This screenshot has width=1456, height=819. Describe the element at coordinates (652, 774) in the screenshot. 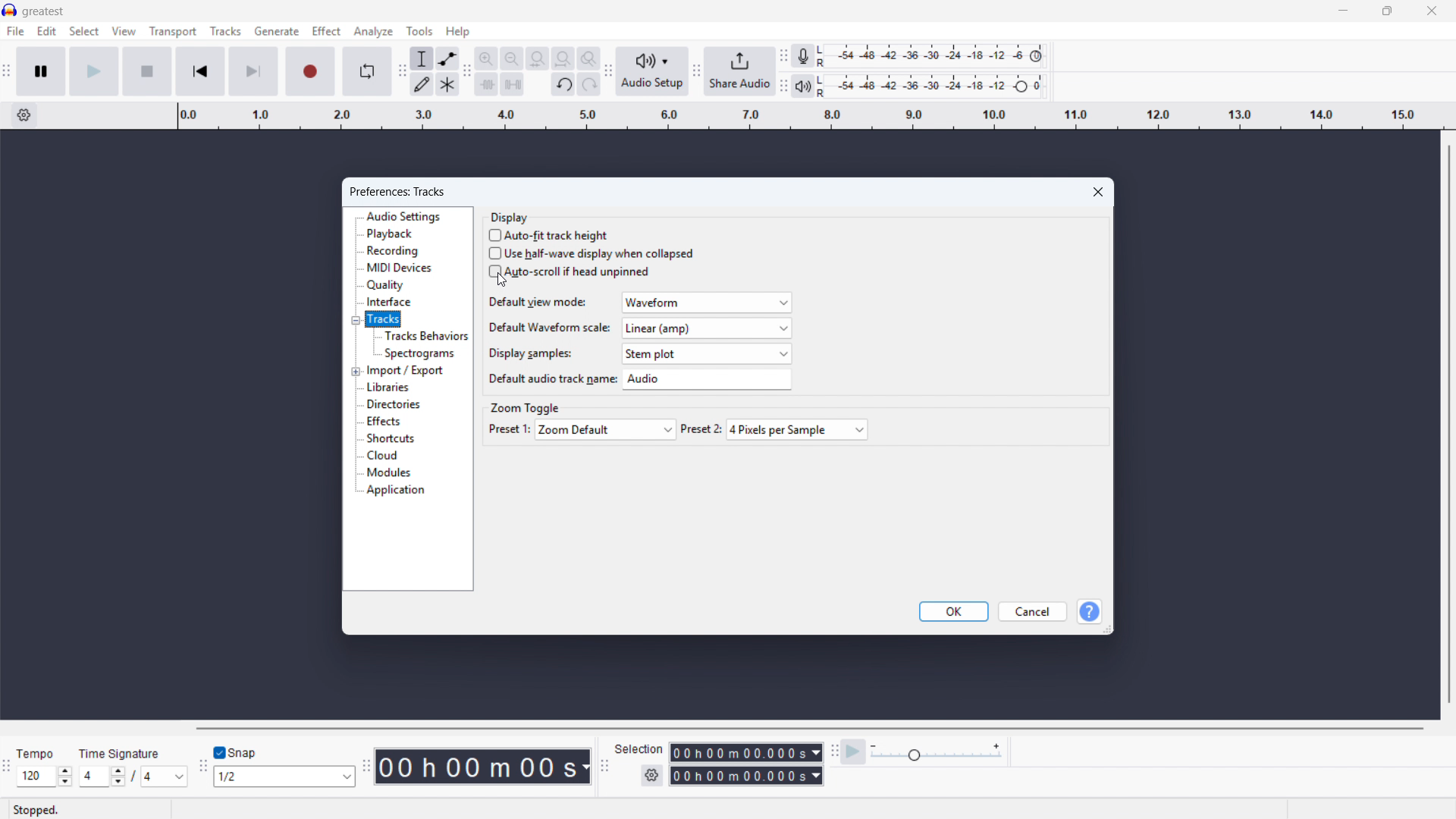

I see `Selection settings ` at that location.